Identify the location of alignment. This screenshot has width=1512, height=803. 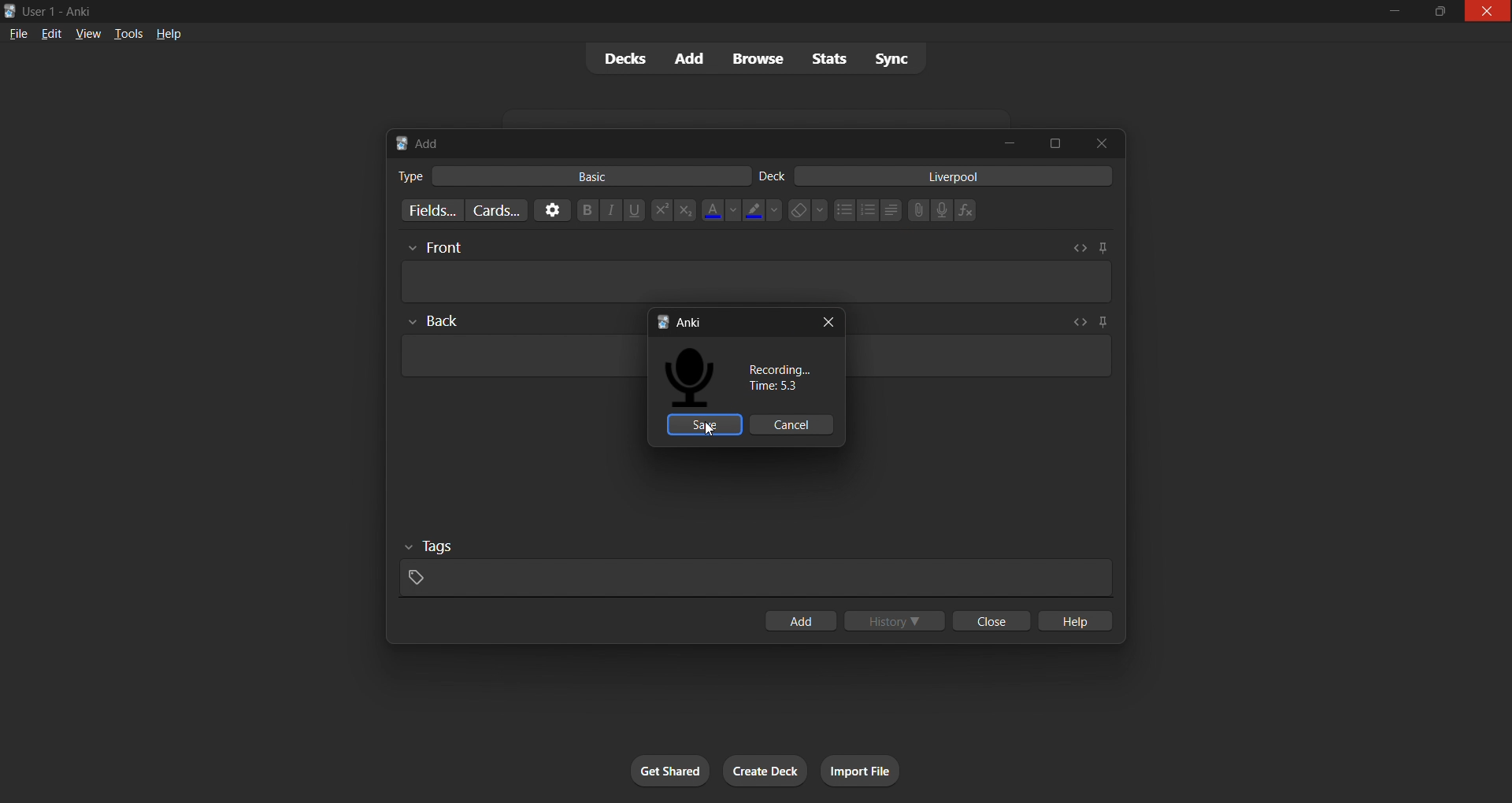
(893, 209).